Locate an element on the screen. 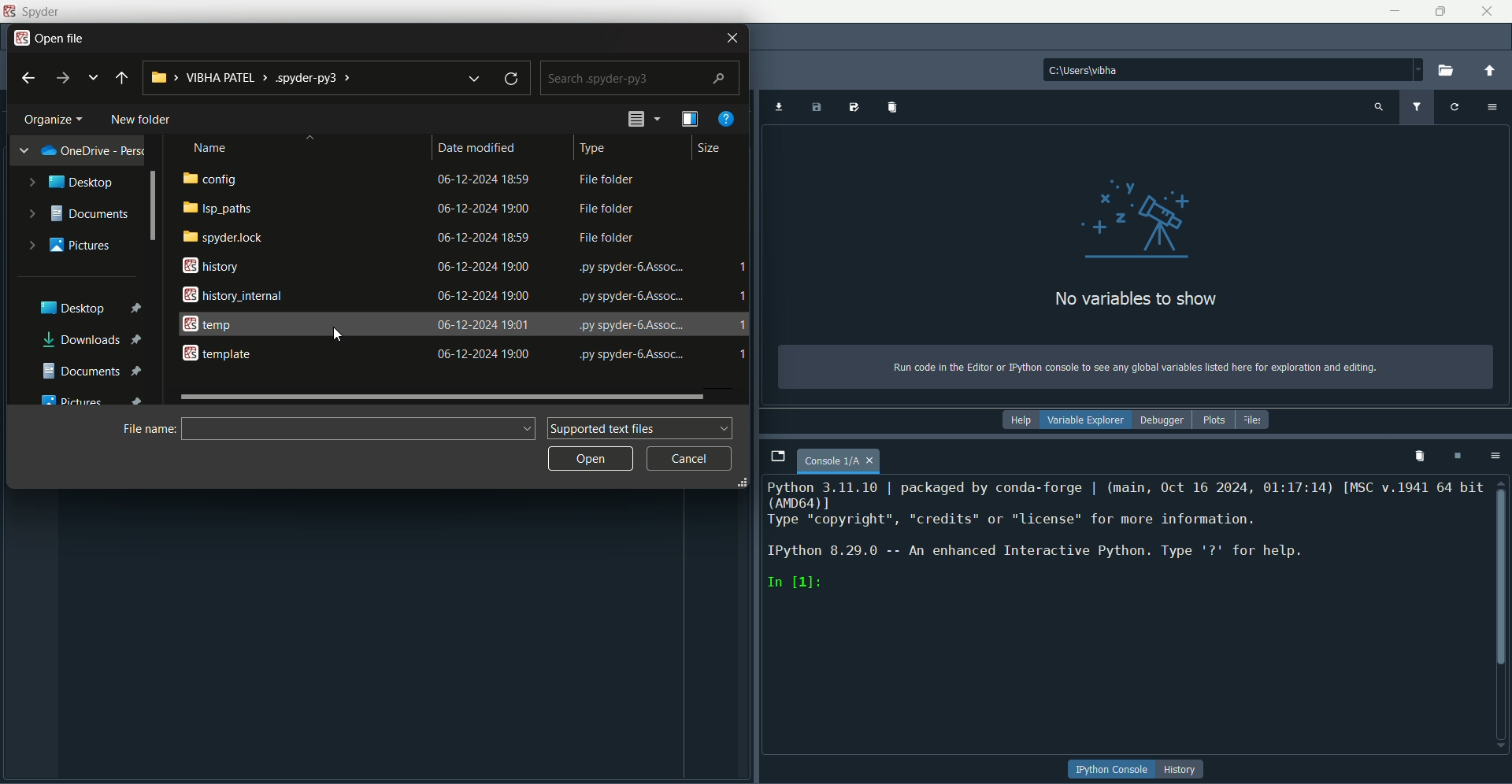 Image resolution: width=1512 pixels, height=784 pixels. text is located at coordinates (630, 355).